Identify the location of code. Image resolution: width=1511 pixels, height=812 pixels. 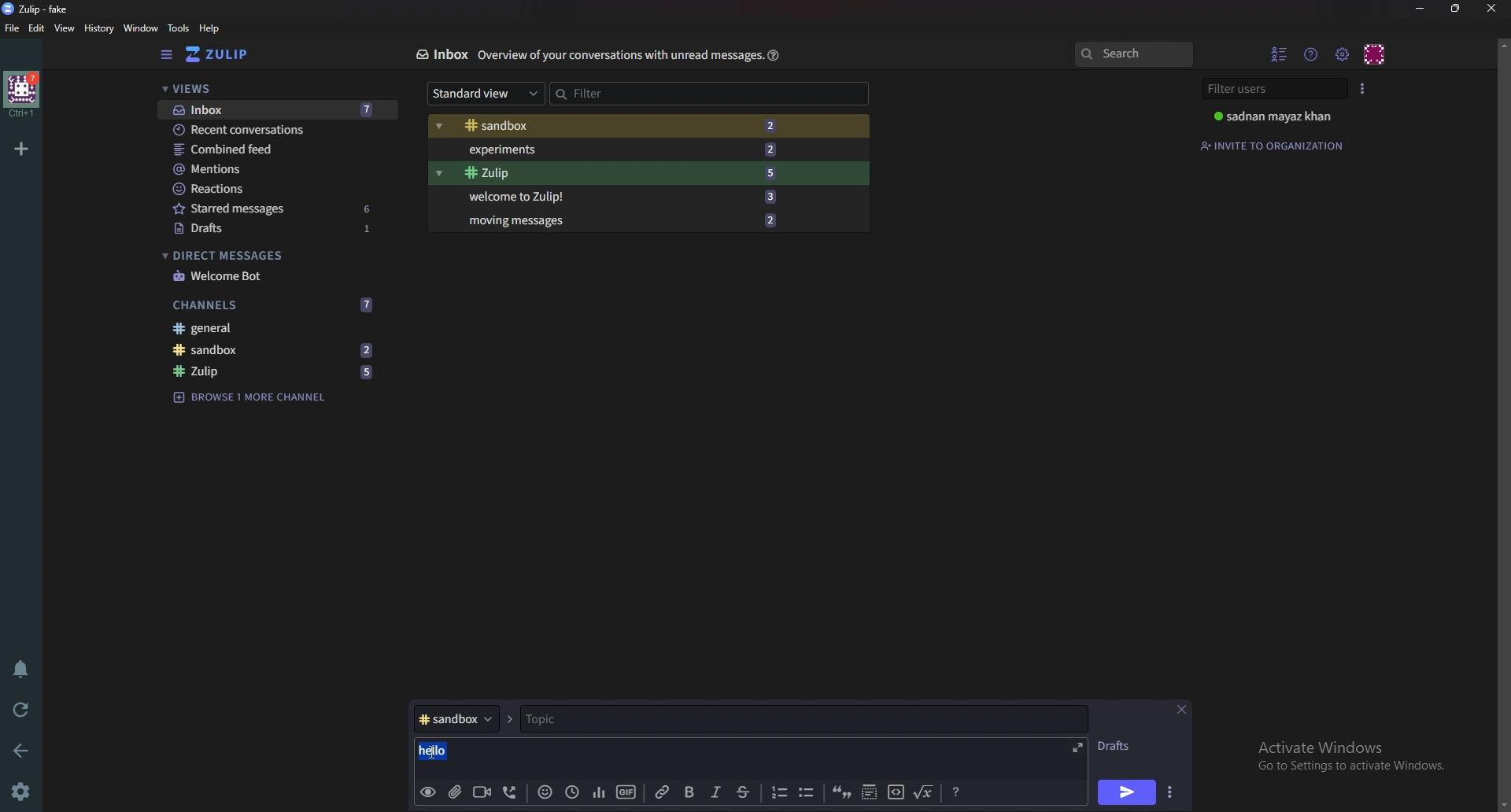
(895, 793).